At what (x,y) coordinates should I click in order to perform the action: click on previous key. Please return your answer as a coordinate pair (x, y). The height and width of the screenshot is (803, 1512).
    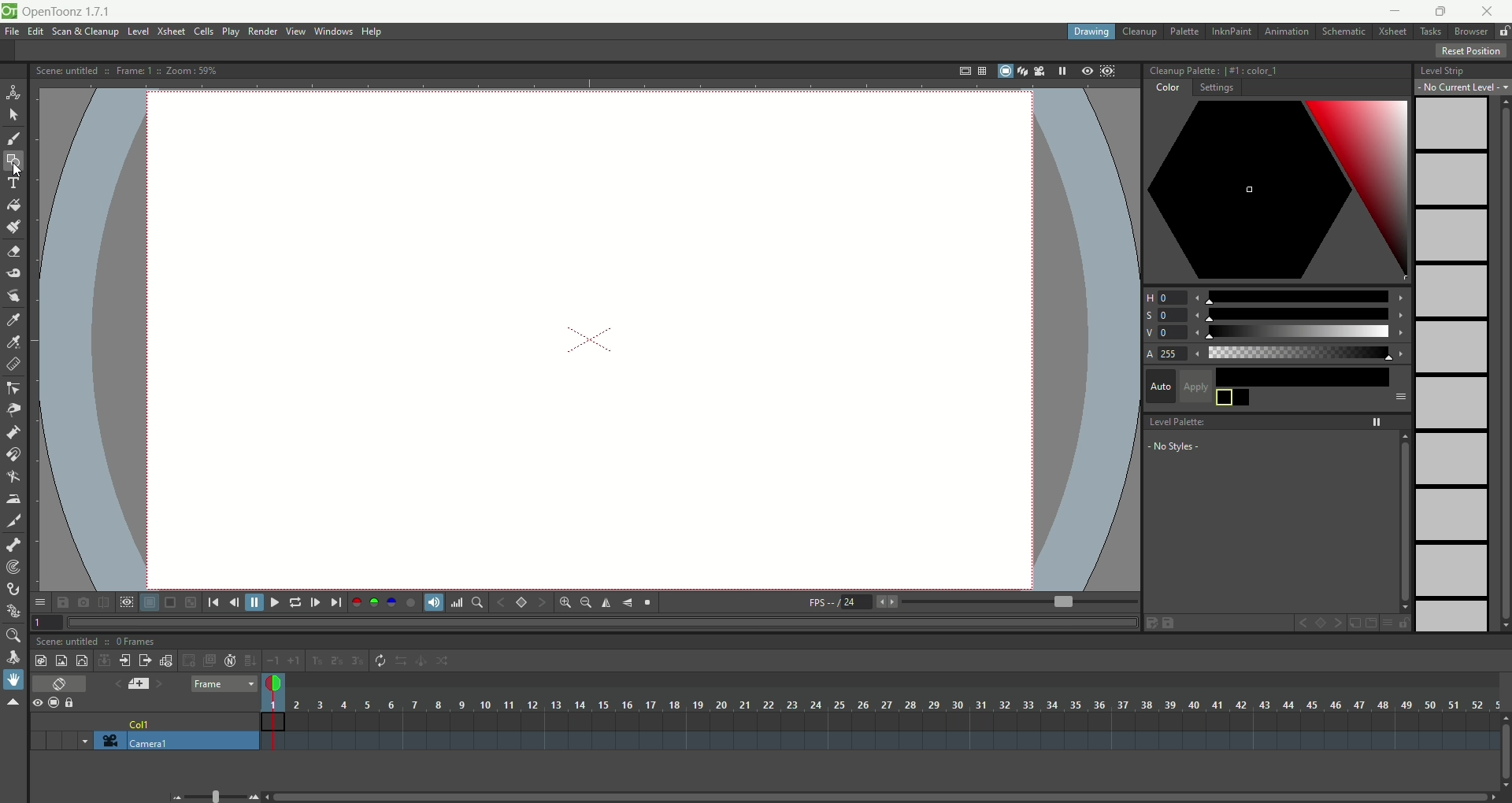
    Looking at the image, I should click on (1303, 625).